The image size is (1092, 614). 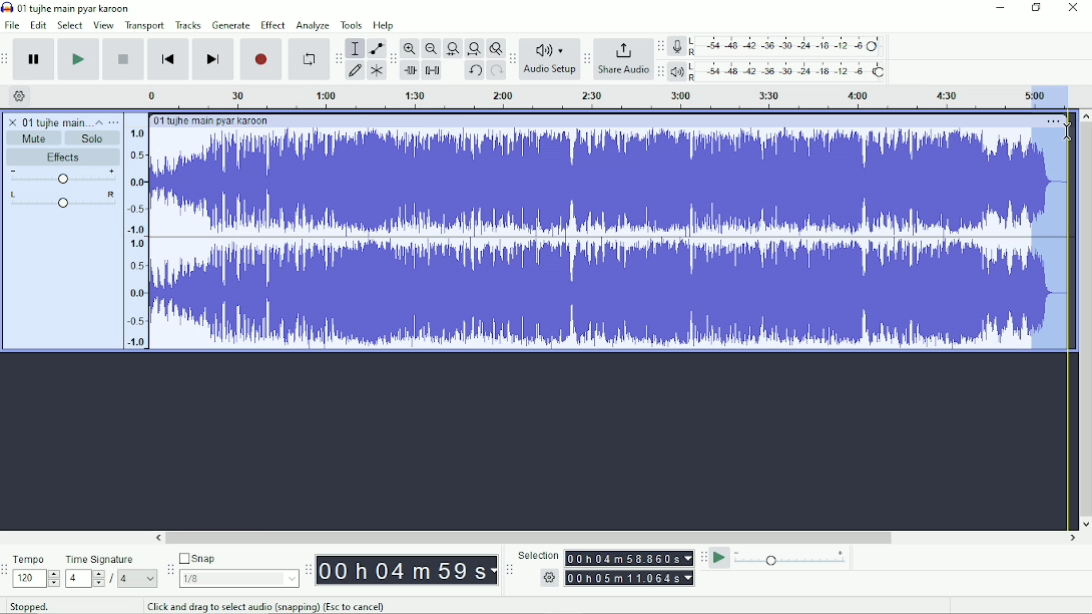 I want to click on Click and drag to select audio, so click(x=268, y=606).